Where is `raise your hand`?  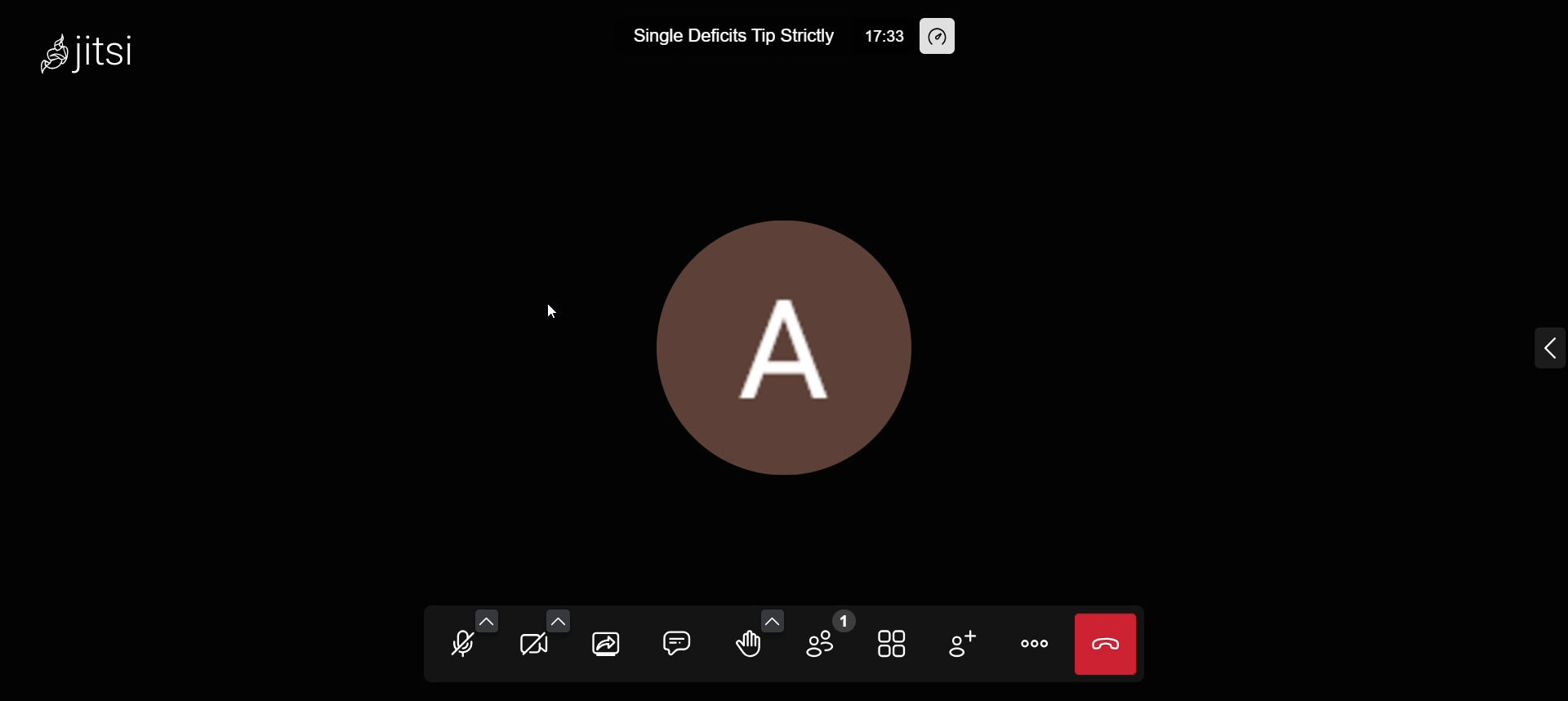
raise your hand is located at coordinates (745, 653).